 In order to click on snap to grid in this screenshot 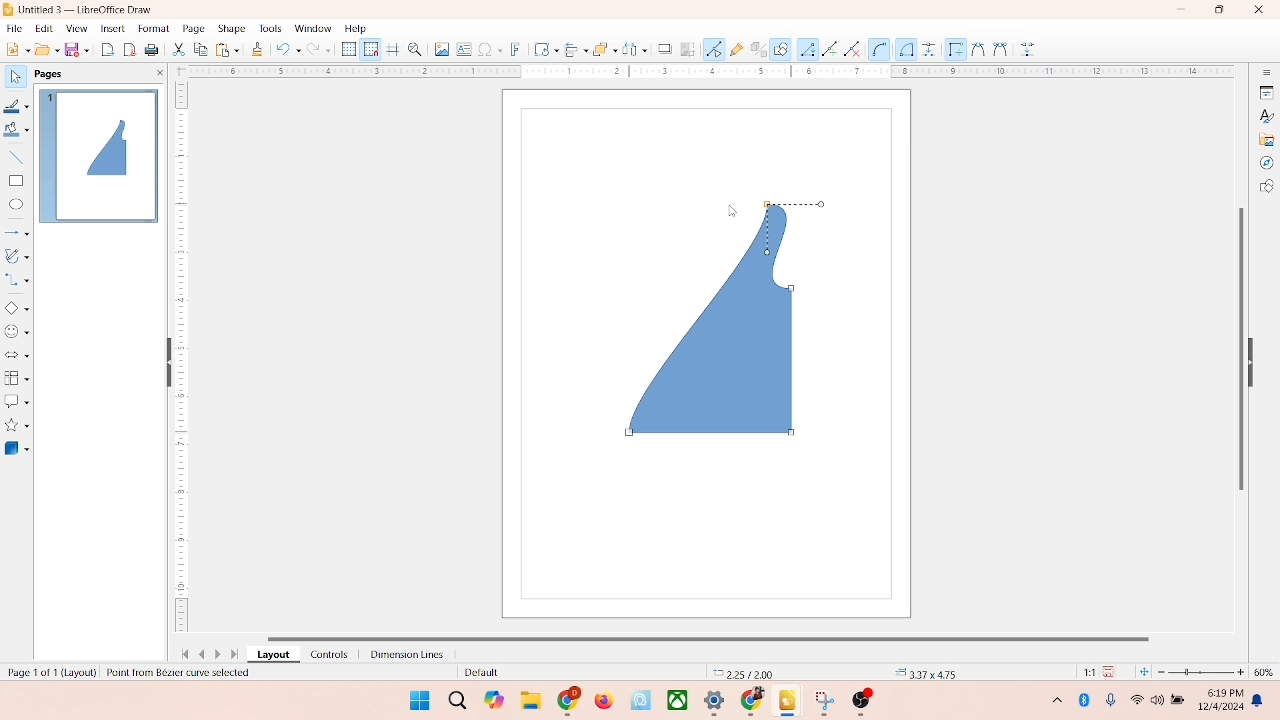, I will do `click(368, 49)`.